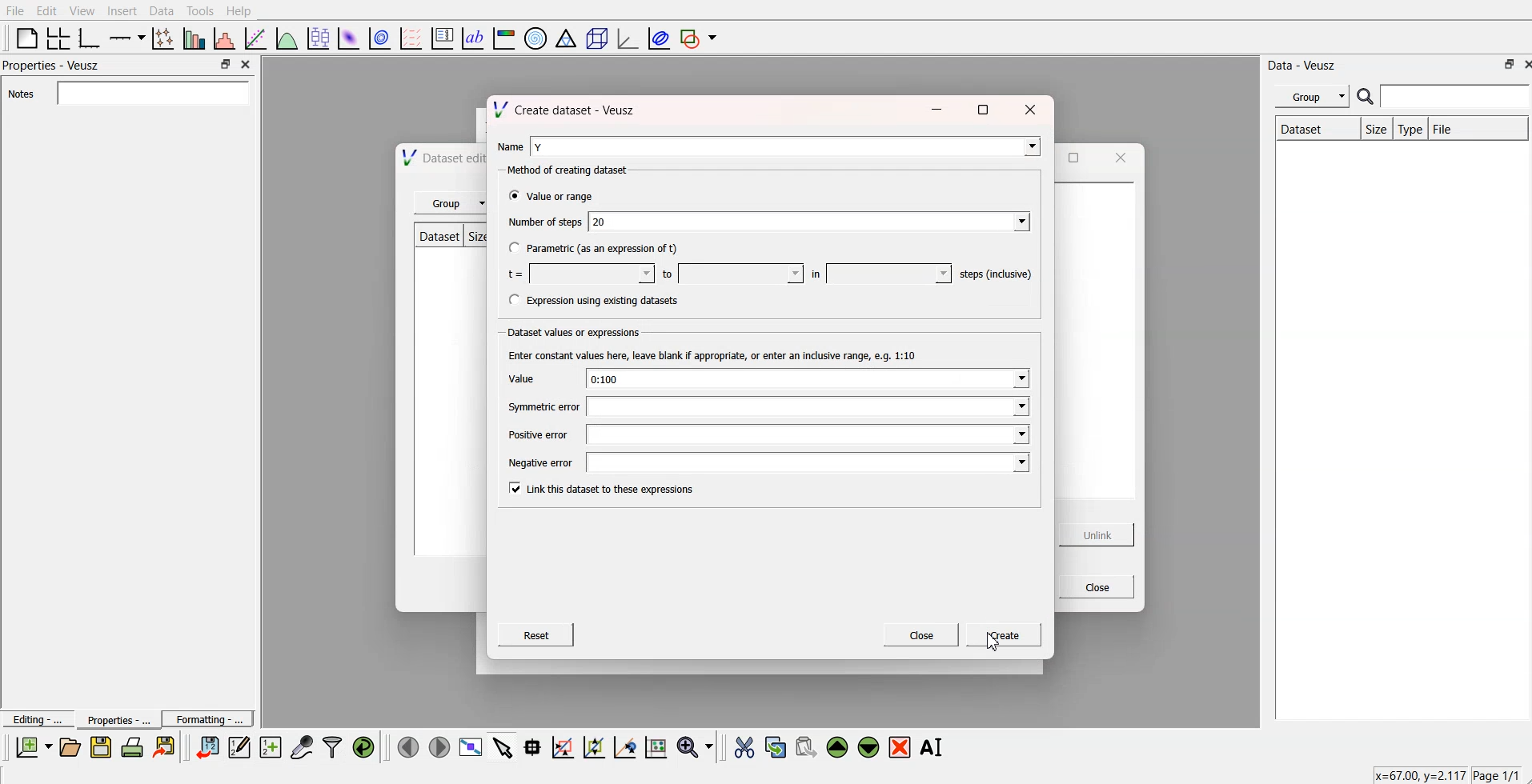 Image resolution: width=1532 pixels, height=784 pixels. Describe the element at coordinates (59, 37) in the screenshot. I see `arrange a graph in a grid` at that location.